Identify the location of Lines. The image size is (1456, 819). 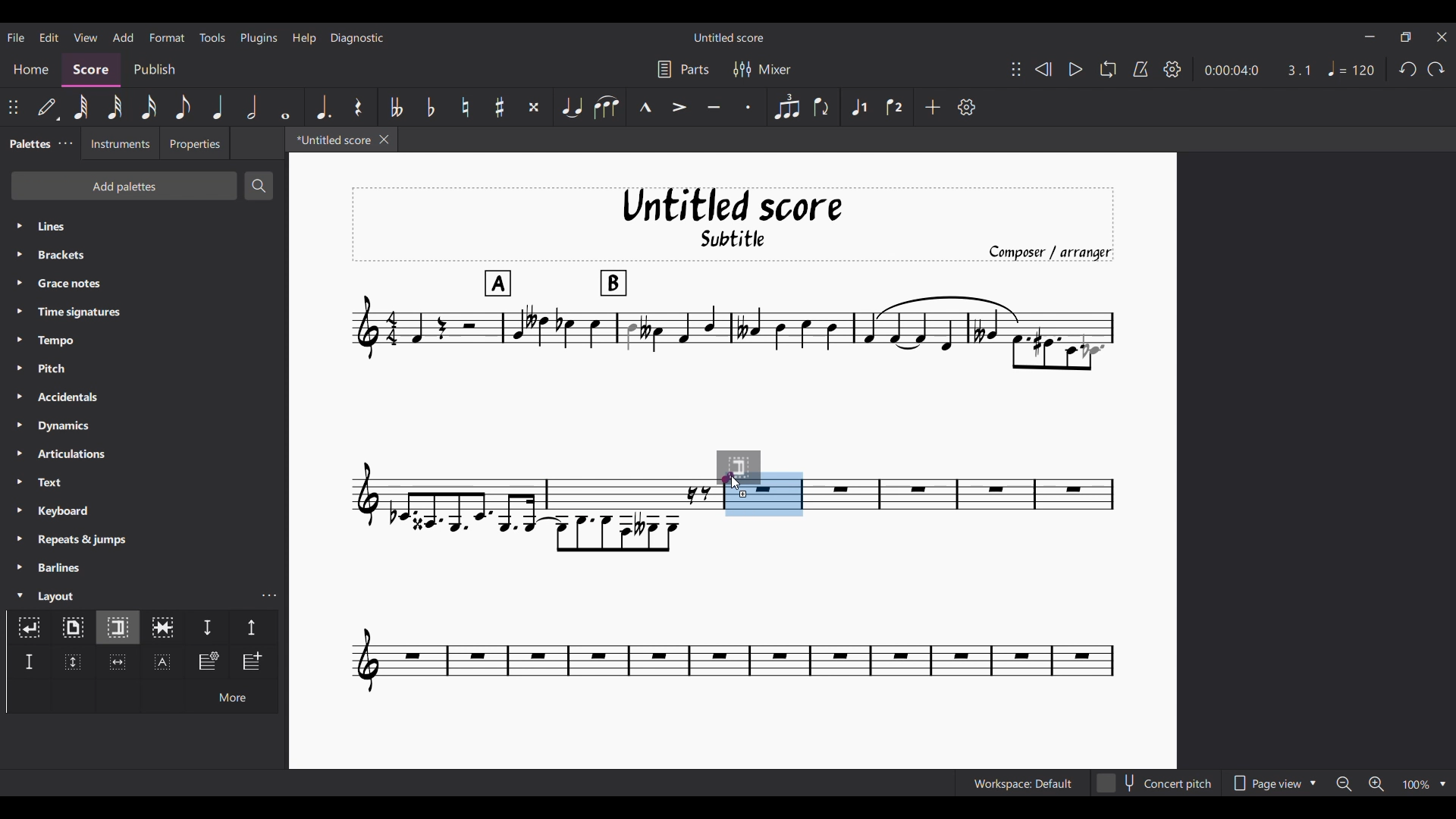
(144, 226).